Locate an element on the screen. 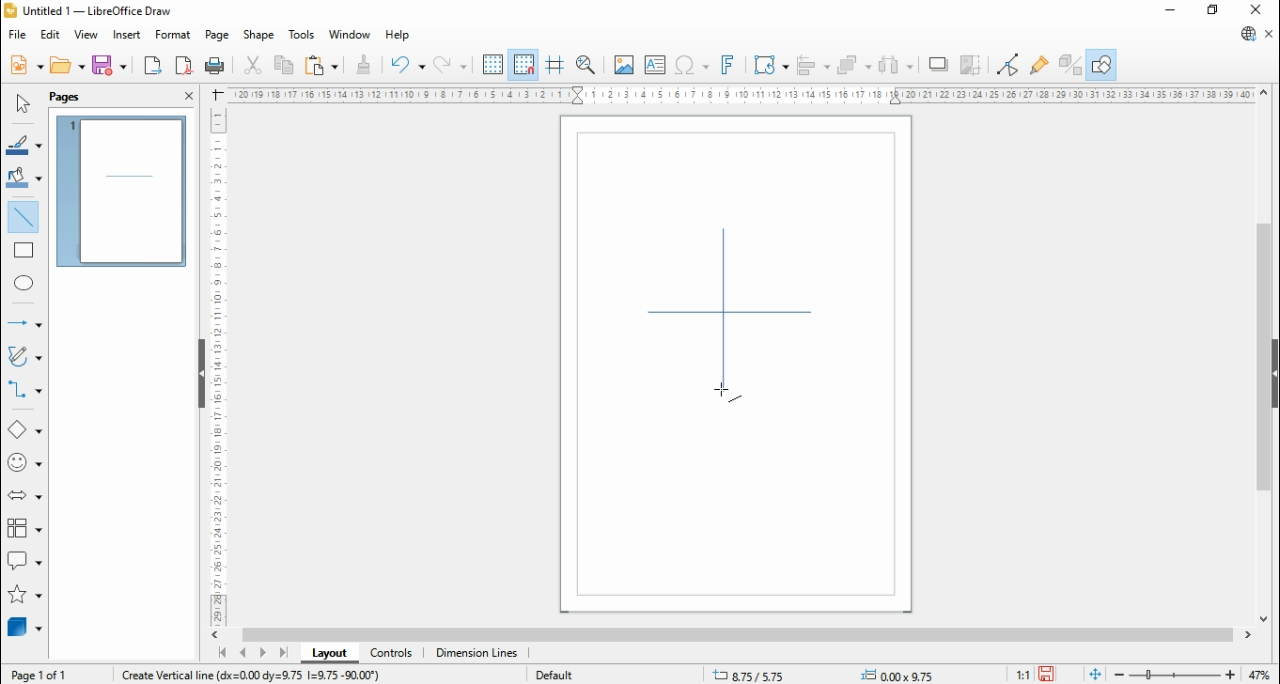 The height and width of the screenshot is (684, 1280). next page is located at coordinates (262, 652).